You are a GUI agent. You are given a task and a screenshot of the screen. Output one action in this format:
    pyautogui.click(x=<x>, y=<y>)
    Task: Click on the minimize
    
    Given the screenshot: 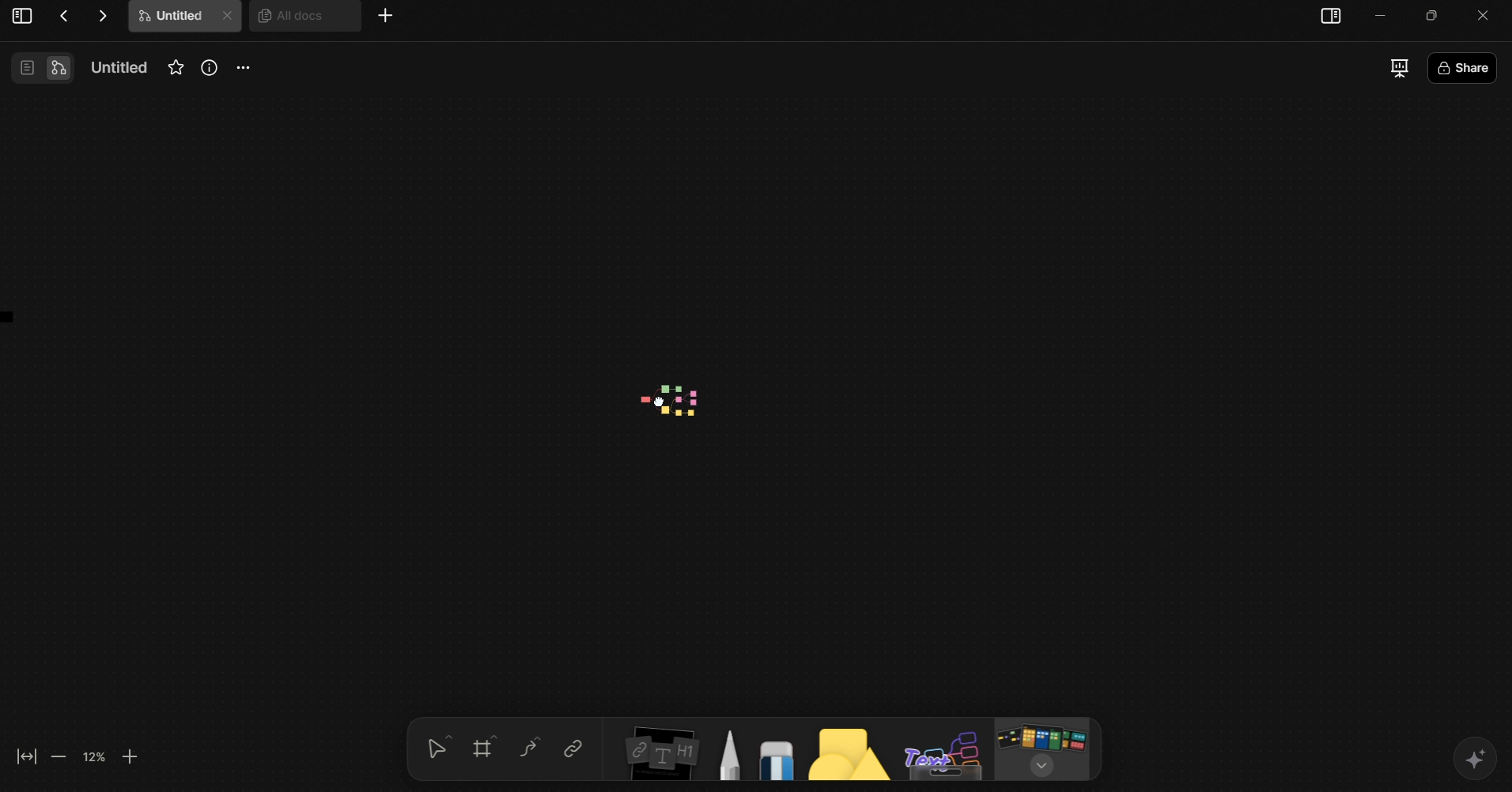 What is the action you would take?
    pyautogui.click(x=1384, y=15)
    